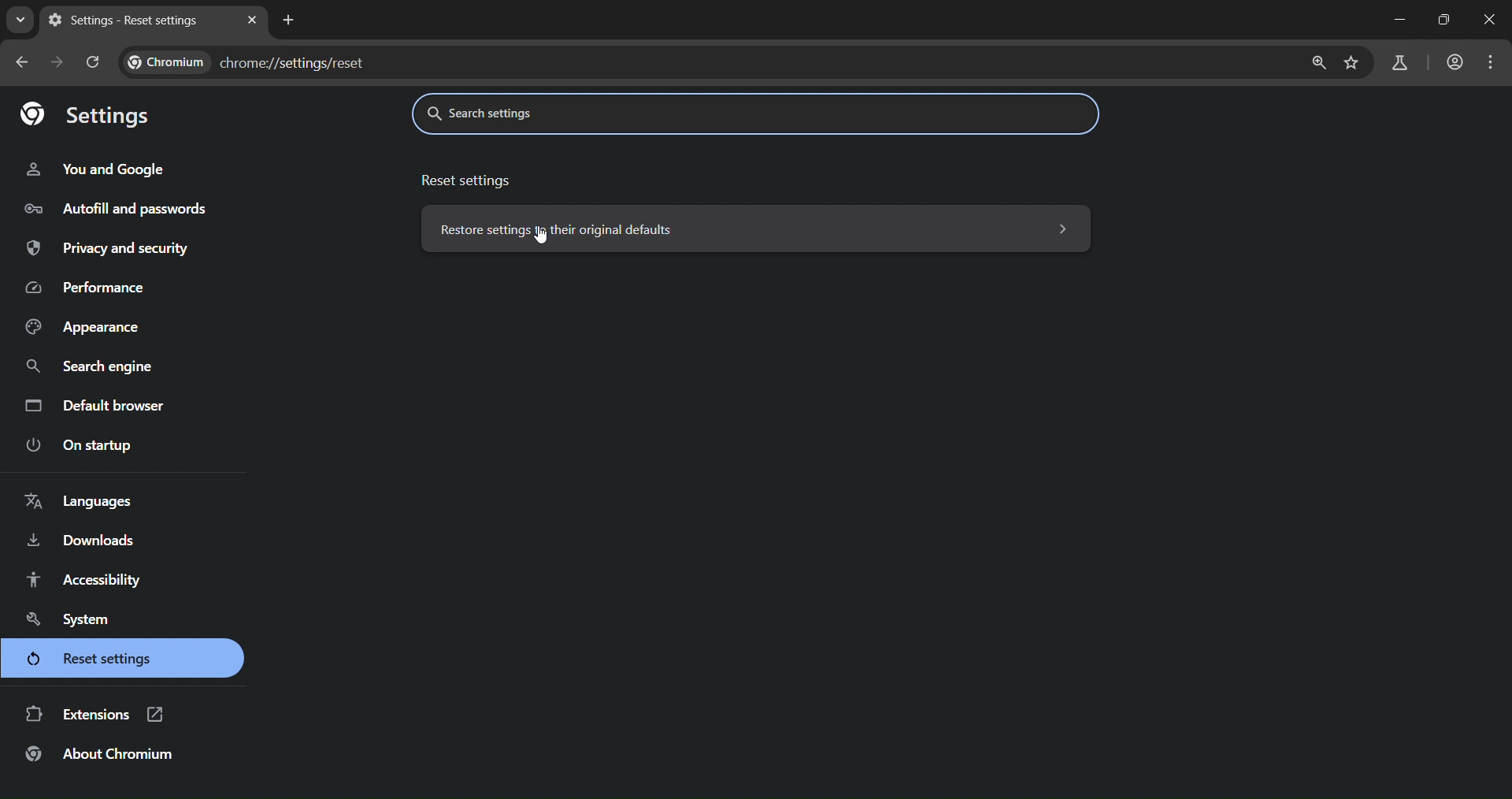 The image size is (1512, 799). Describe the element at coordinates (88, 660) in the screenshot. I see `reset settings` at that location.